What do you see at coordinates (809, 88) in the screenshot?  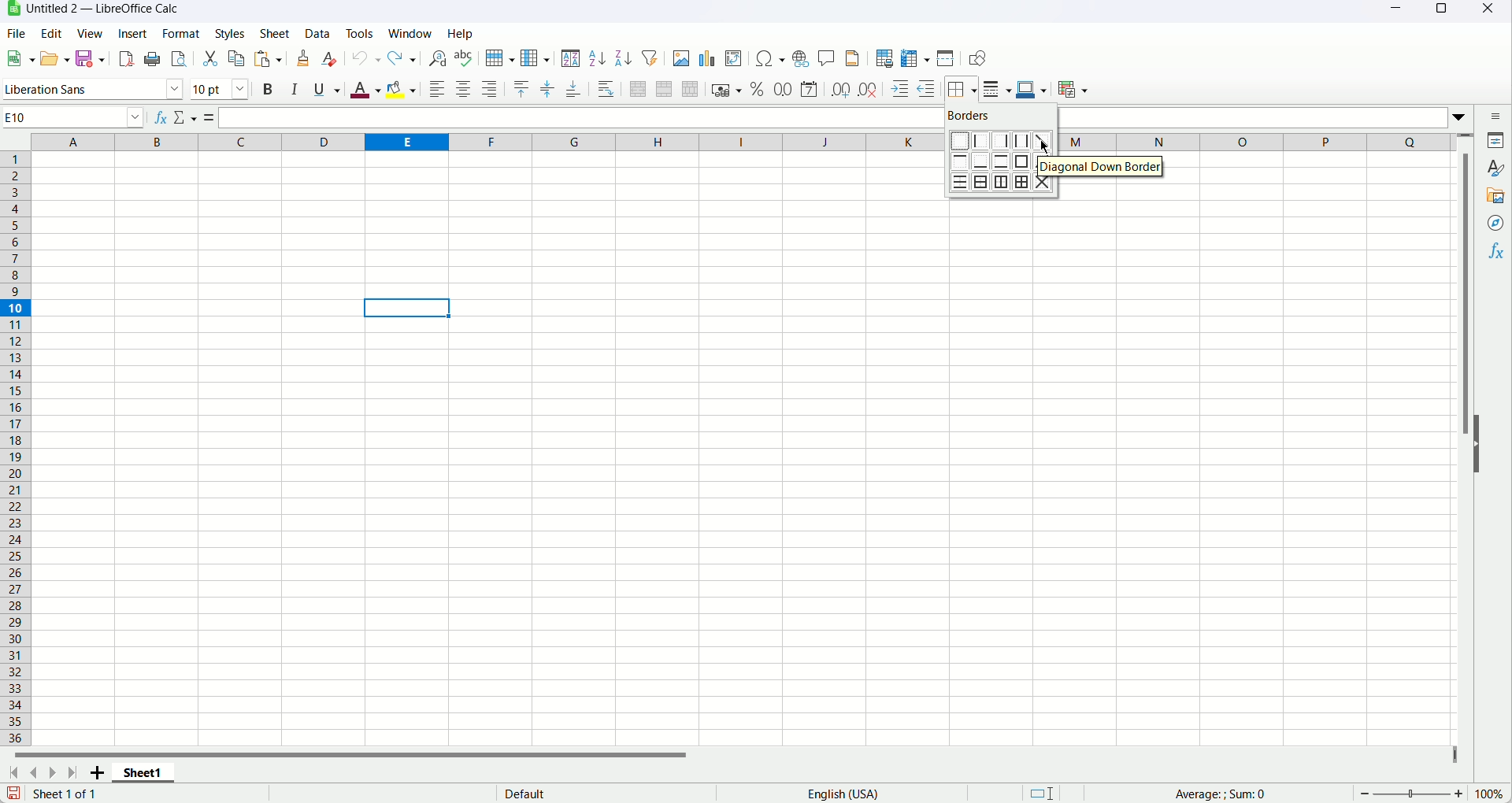 I see `Format as date` at bounding box center [809, 88].